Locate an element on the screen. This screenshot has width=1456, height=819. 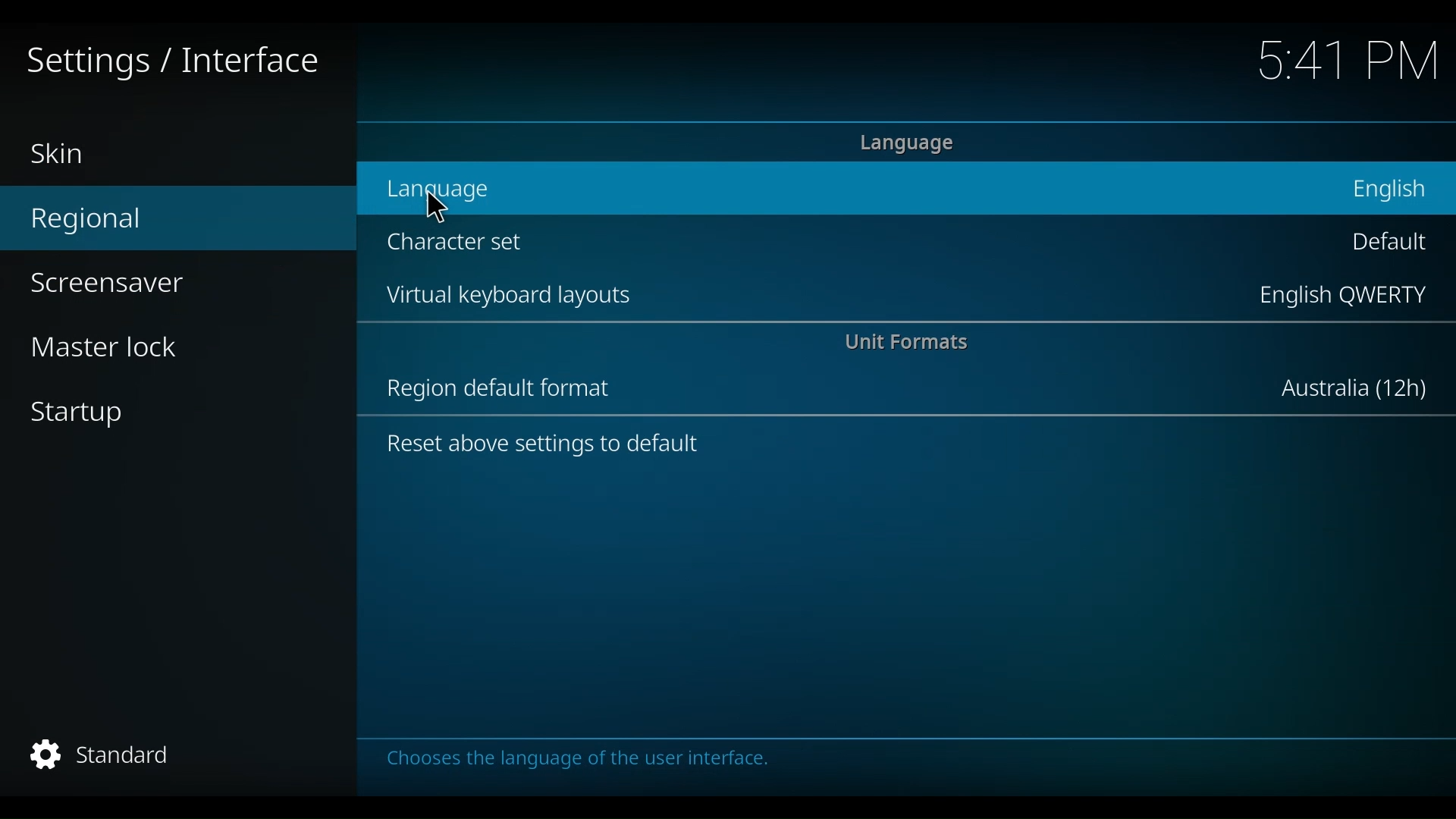
Unit Formats is located at coordinates (923, 344).